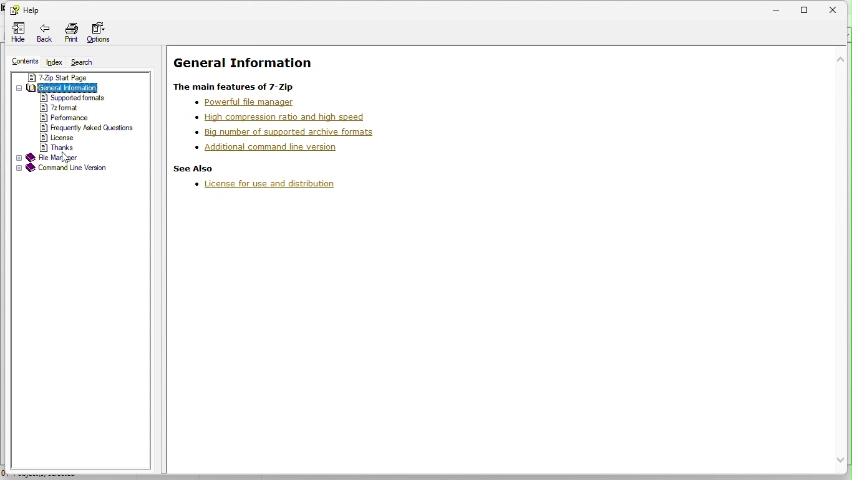 This screenshot has height=480, width=852. I want to click on General information, so click(69, 86).